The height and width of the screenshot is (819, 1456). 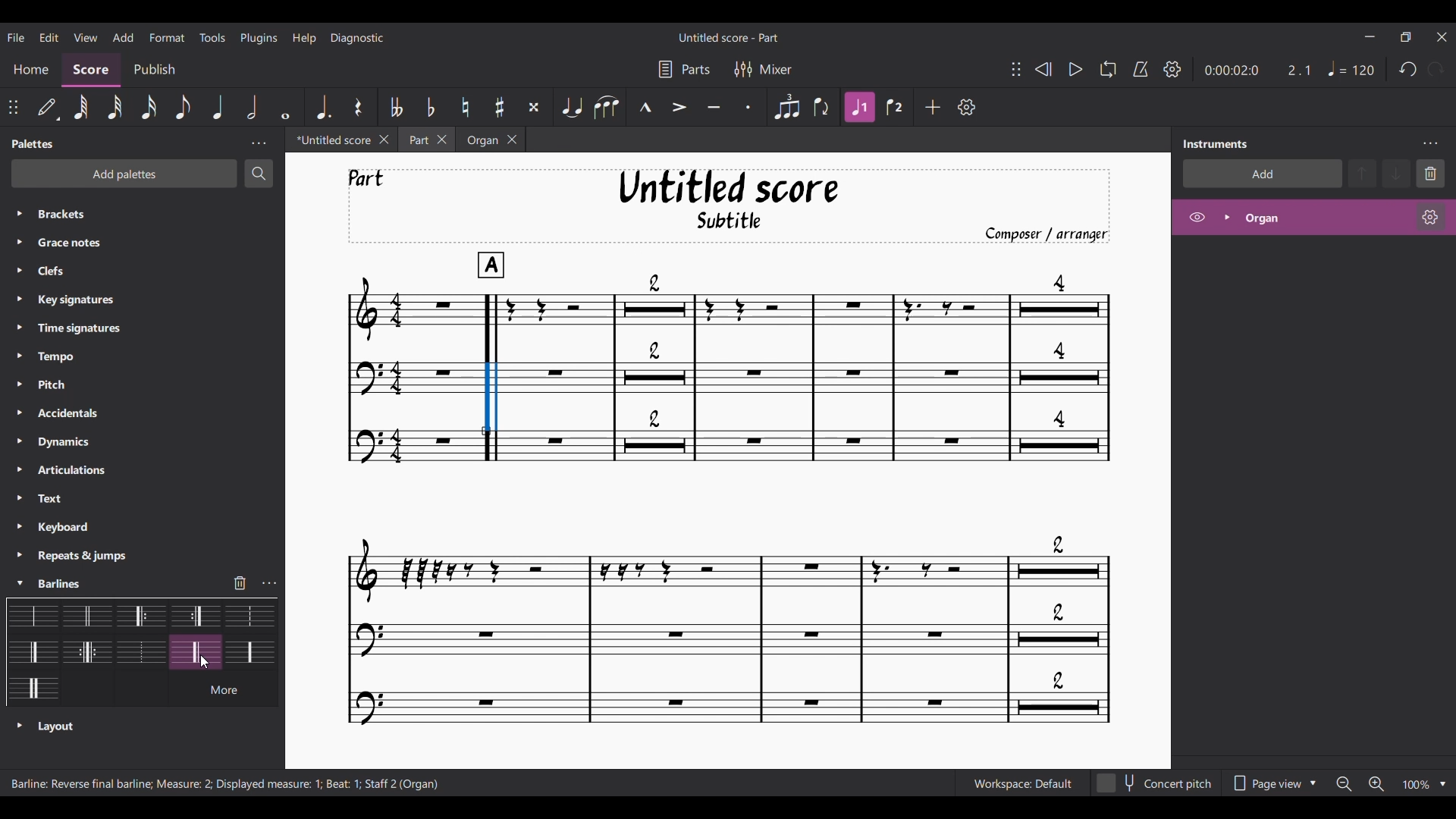 What do you see at coordinates (645, 107) in the screenshot?
I see `Marcato` at bounding box center [645, 107].